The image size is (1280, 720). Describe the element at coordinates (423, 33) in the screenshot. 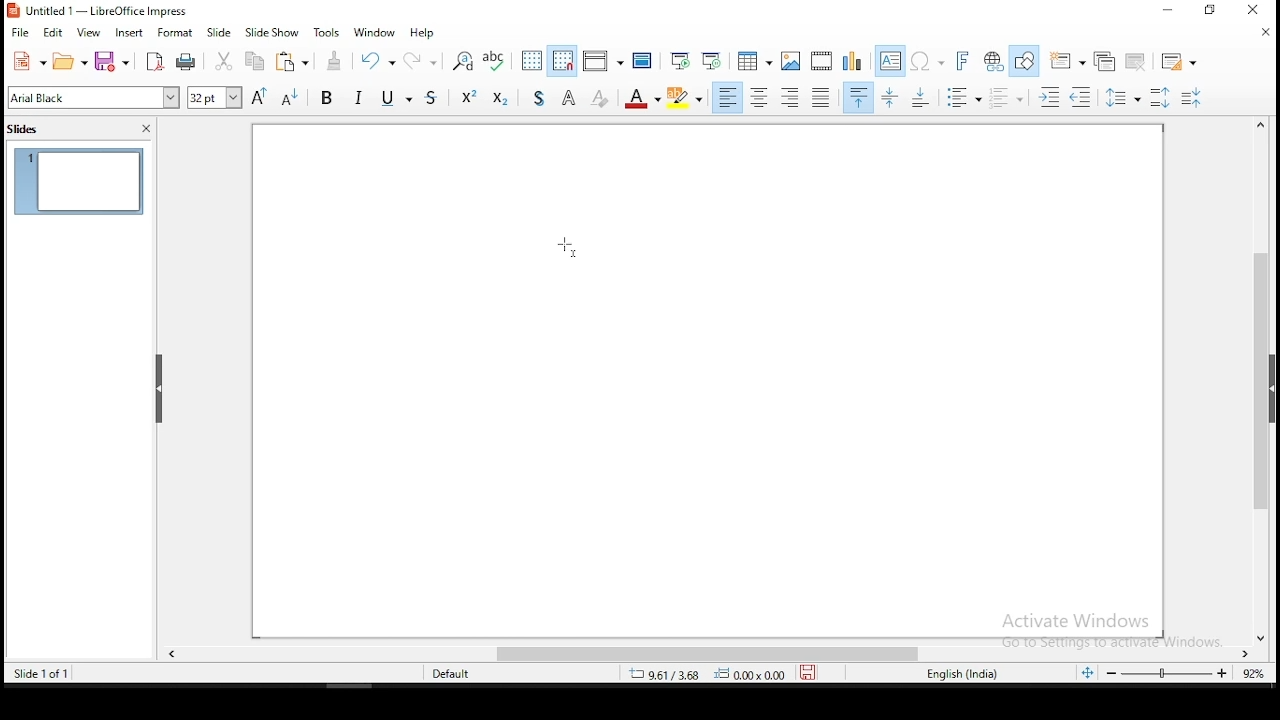

I see `help` at that location.